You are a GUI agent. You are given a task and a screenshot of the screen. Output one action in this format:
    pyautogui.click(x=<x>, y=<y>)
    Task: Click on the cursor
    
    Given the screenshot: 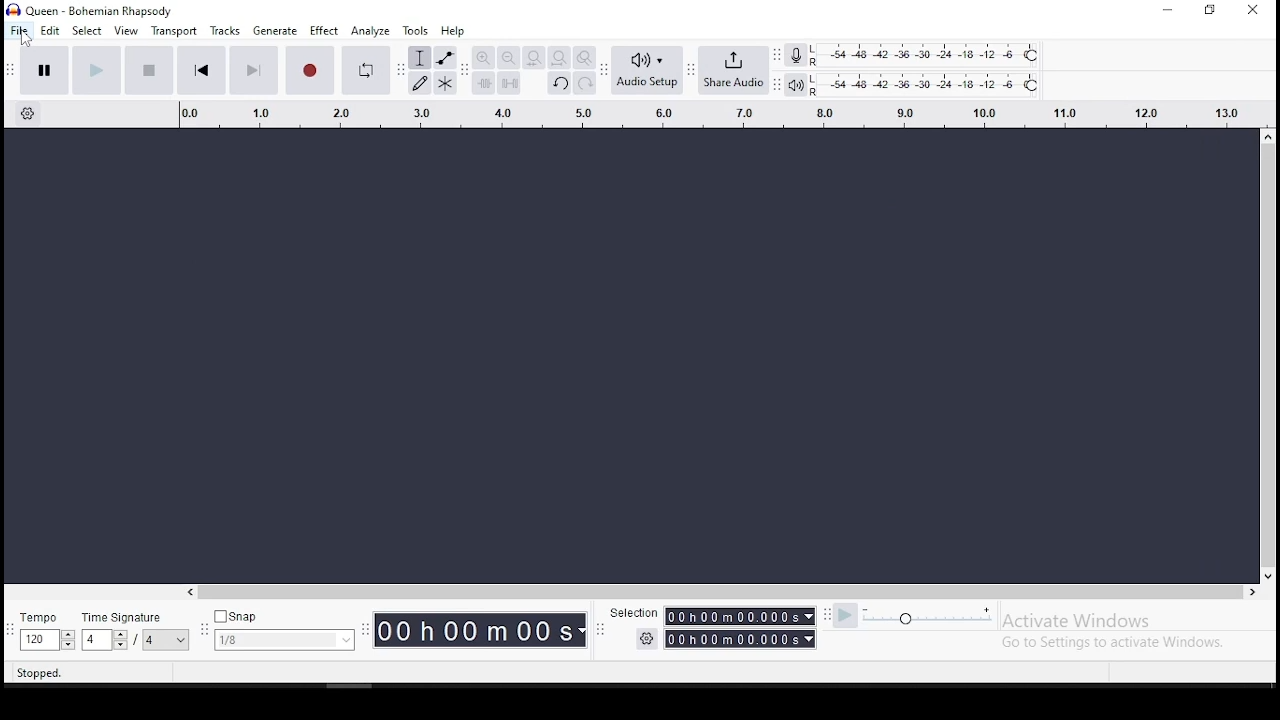 What is the action you would take?
    pyautogui.click(x=26, y=39)
    